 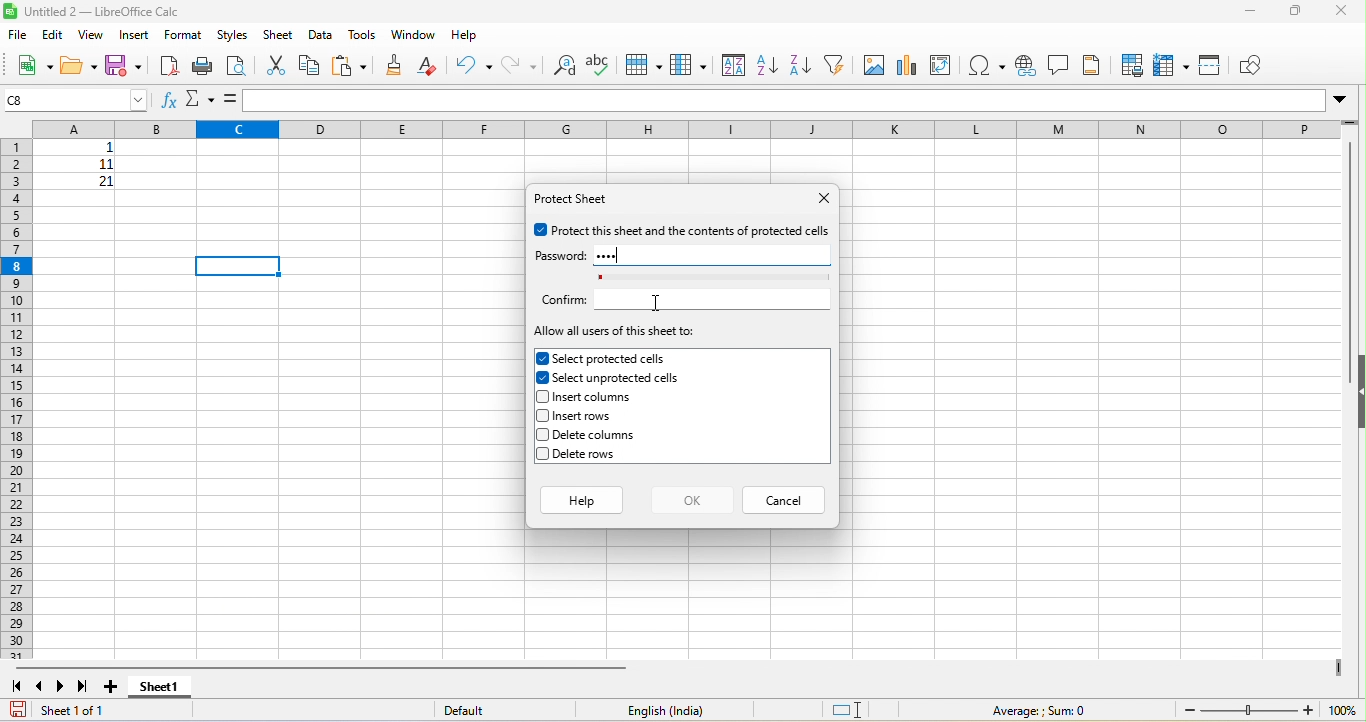 I want to click on print preview, so click(x=236, y=65).